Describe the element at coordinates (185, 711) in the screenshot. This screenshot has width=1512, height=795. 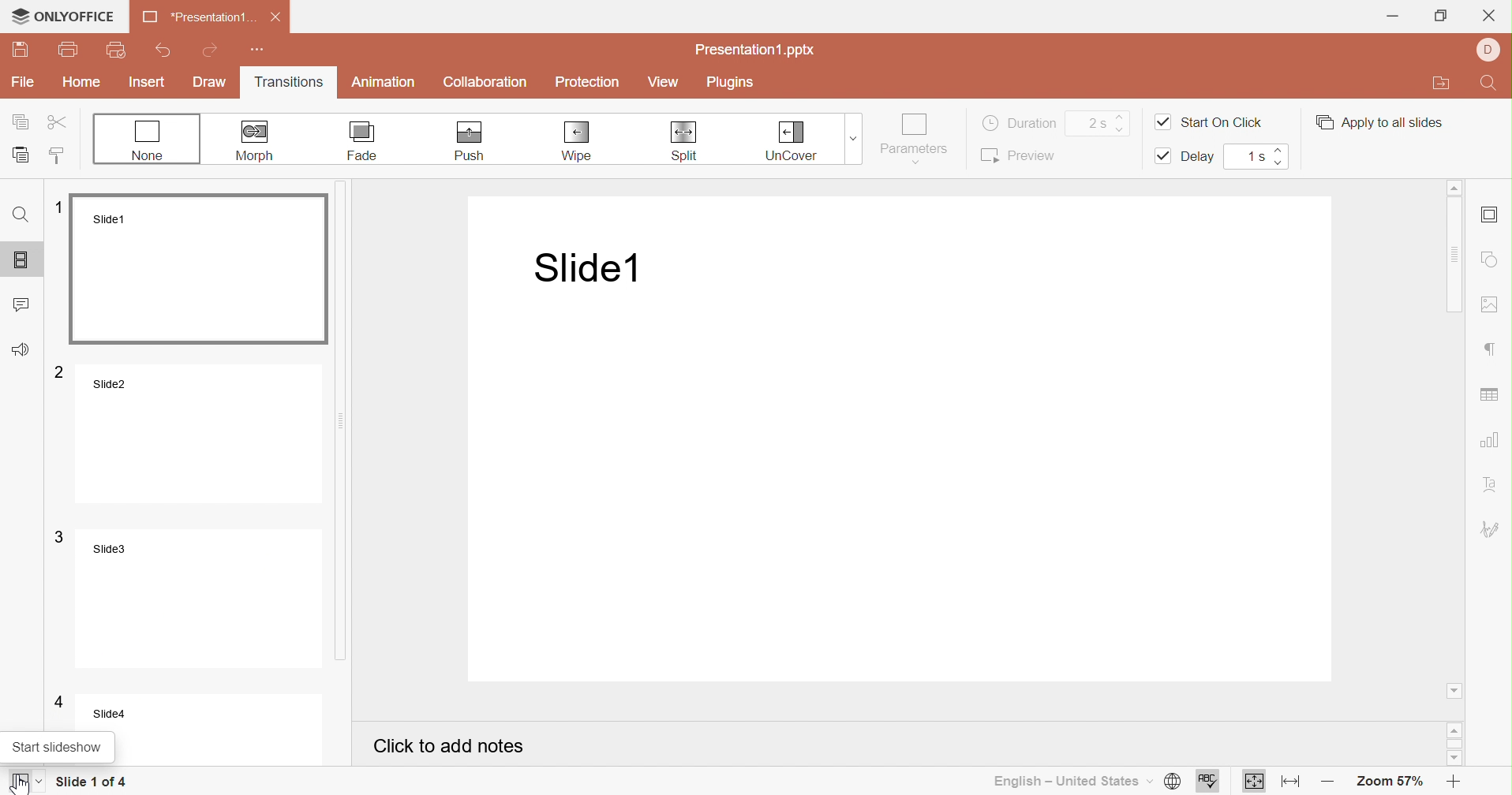
I see `Slide4` at that location.